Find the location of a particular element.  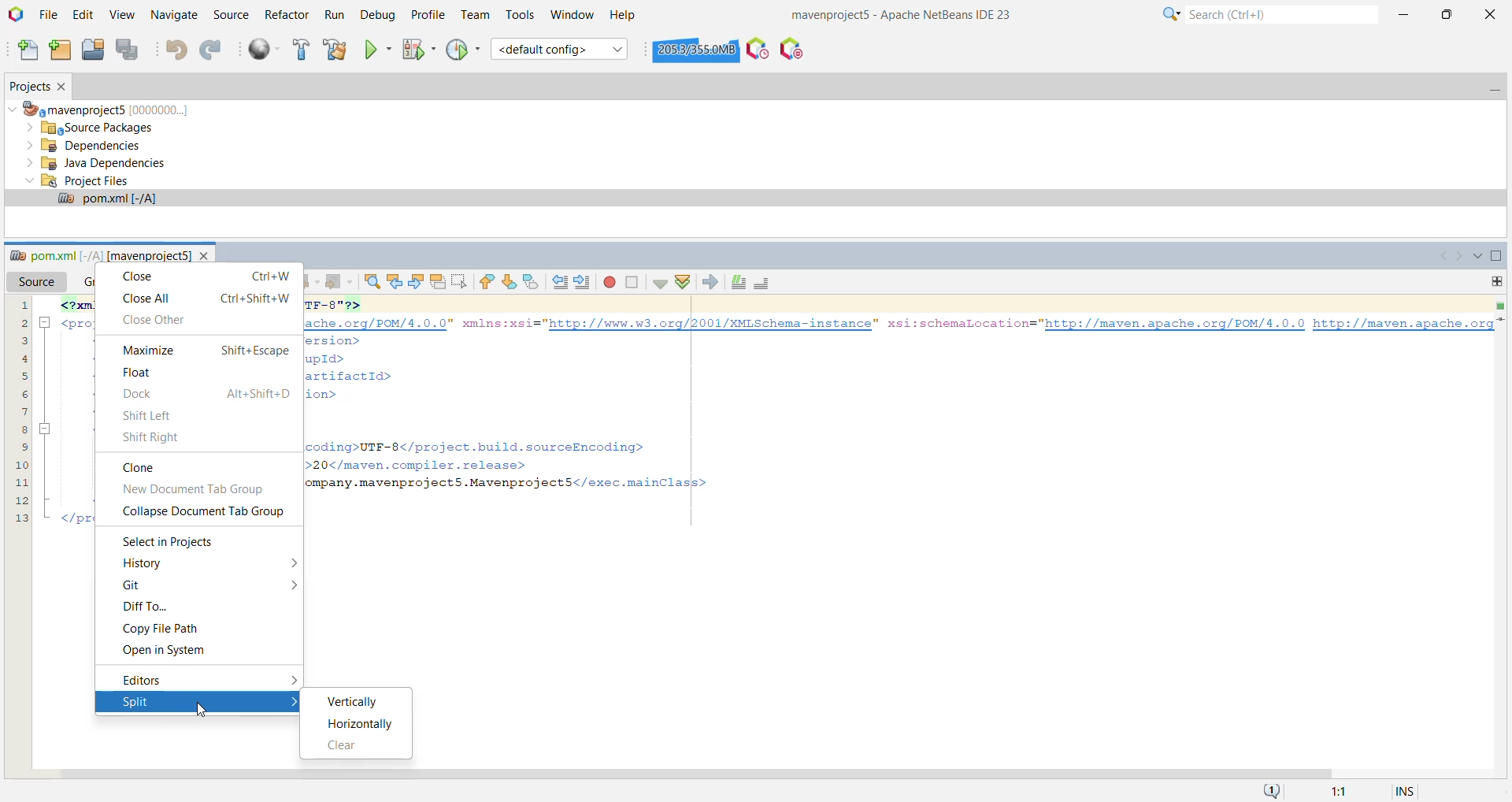

Edit is located at coordinates (85, 15).